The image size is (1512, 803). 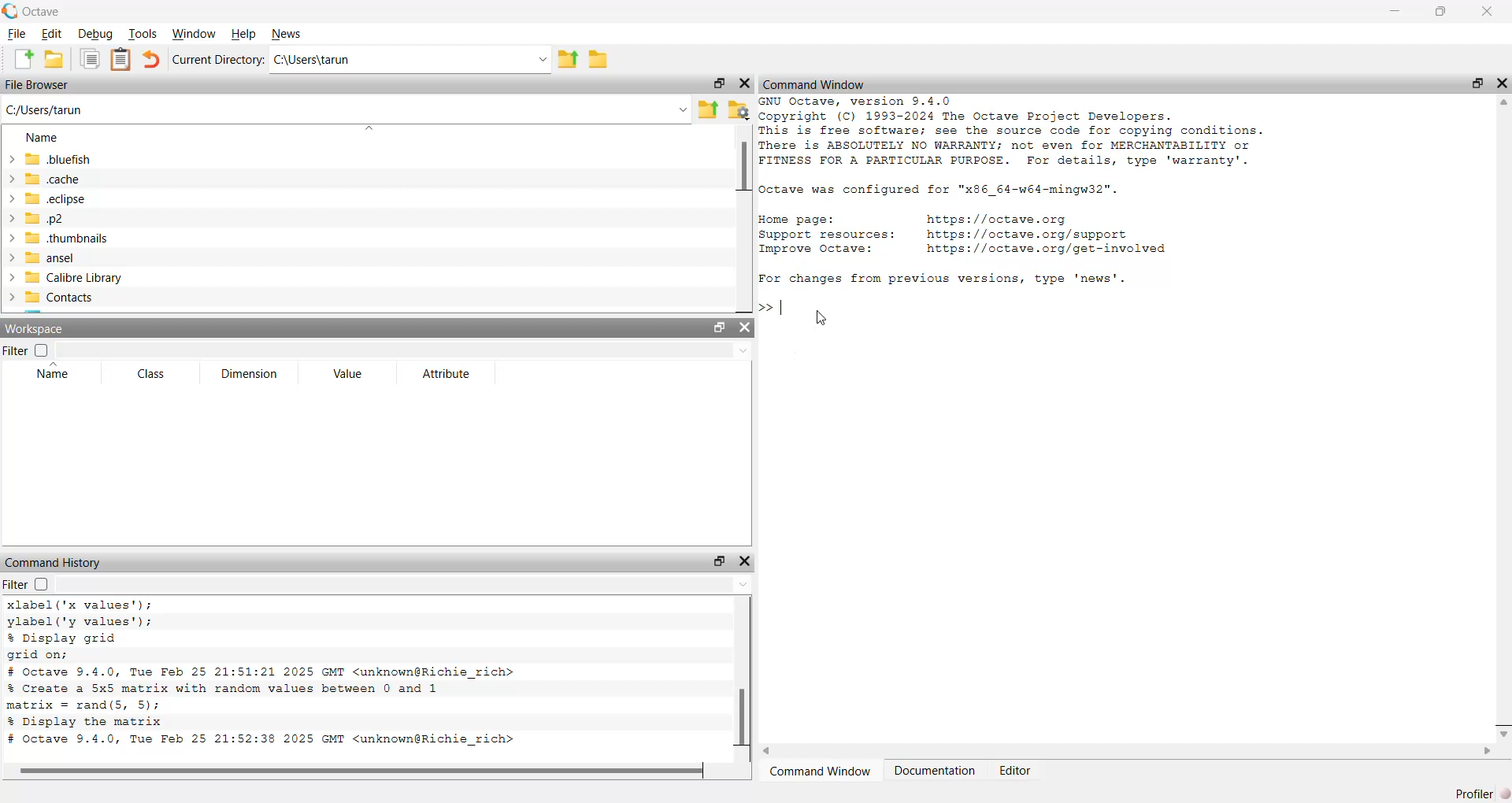 I want to click on scroll bar, so click(x=739, y=676).